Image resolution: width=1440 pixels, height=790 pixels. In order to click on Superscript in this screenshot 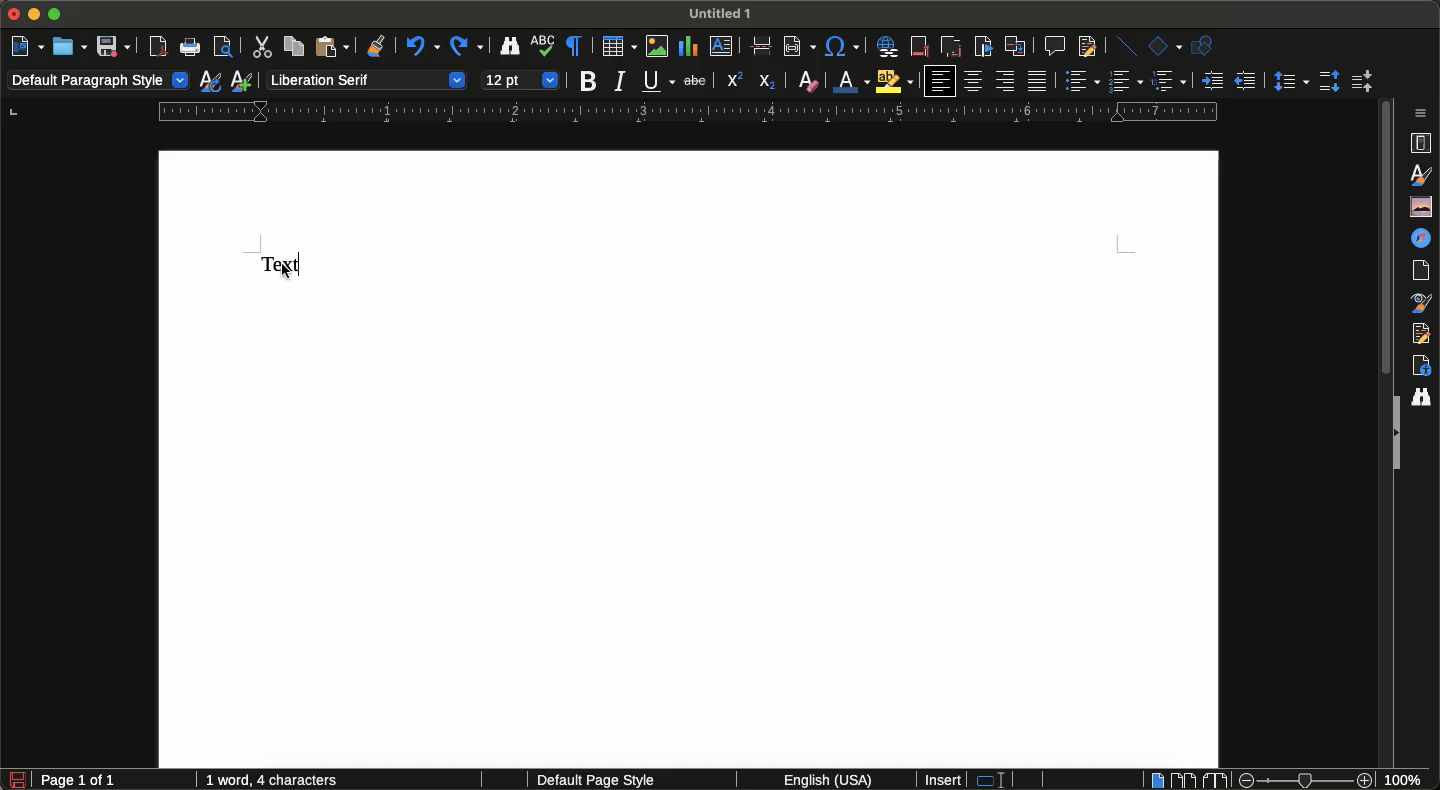, I will do `click(733, 81)`.